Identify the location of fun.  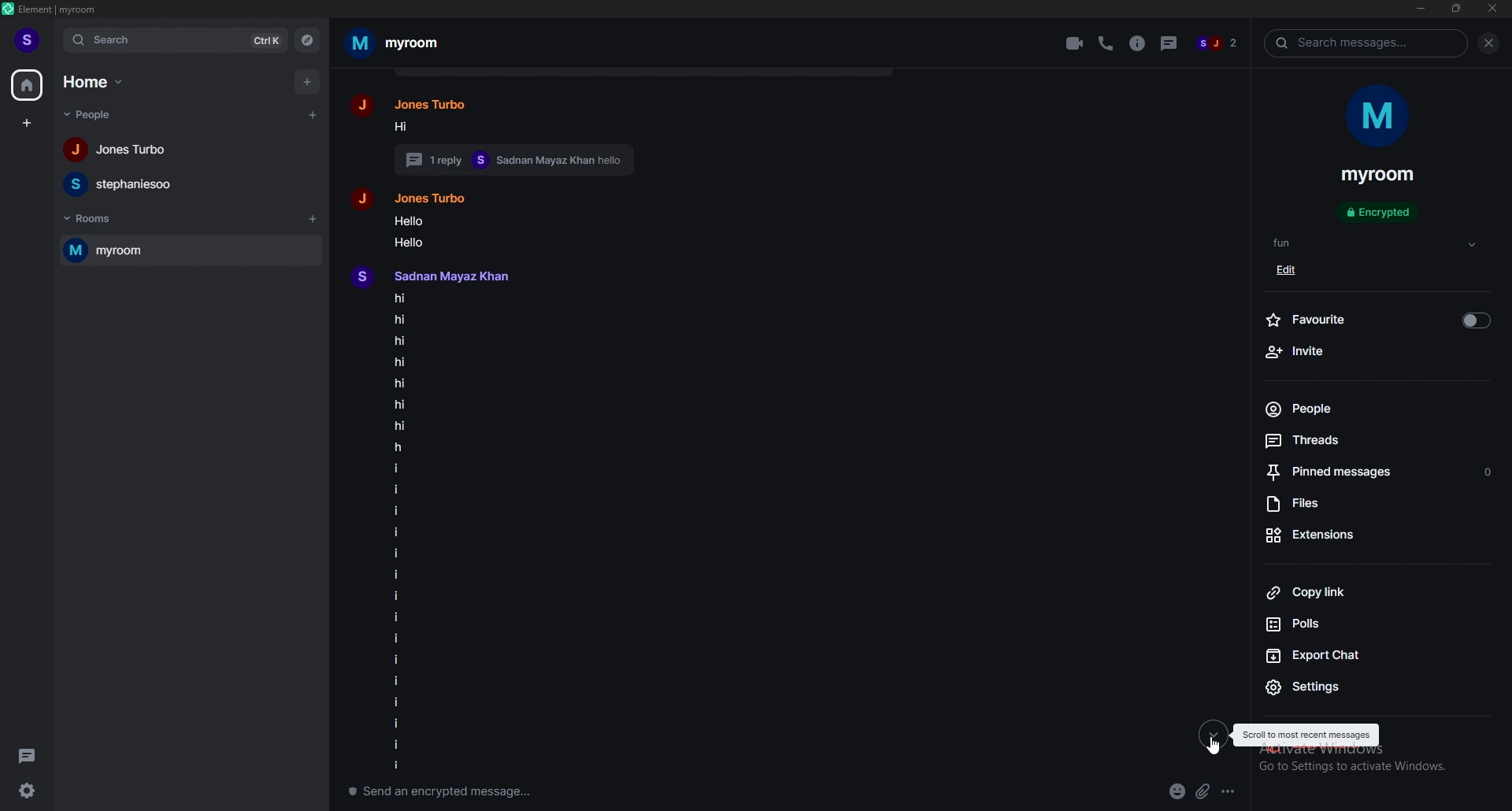
(1279, 243).